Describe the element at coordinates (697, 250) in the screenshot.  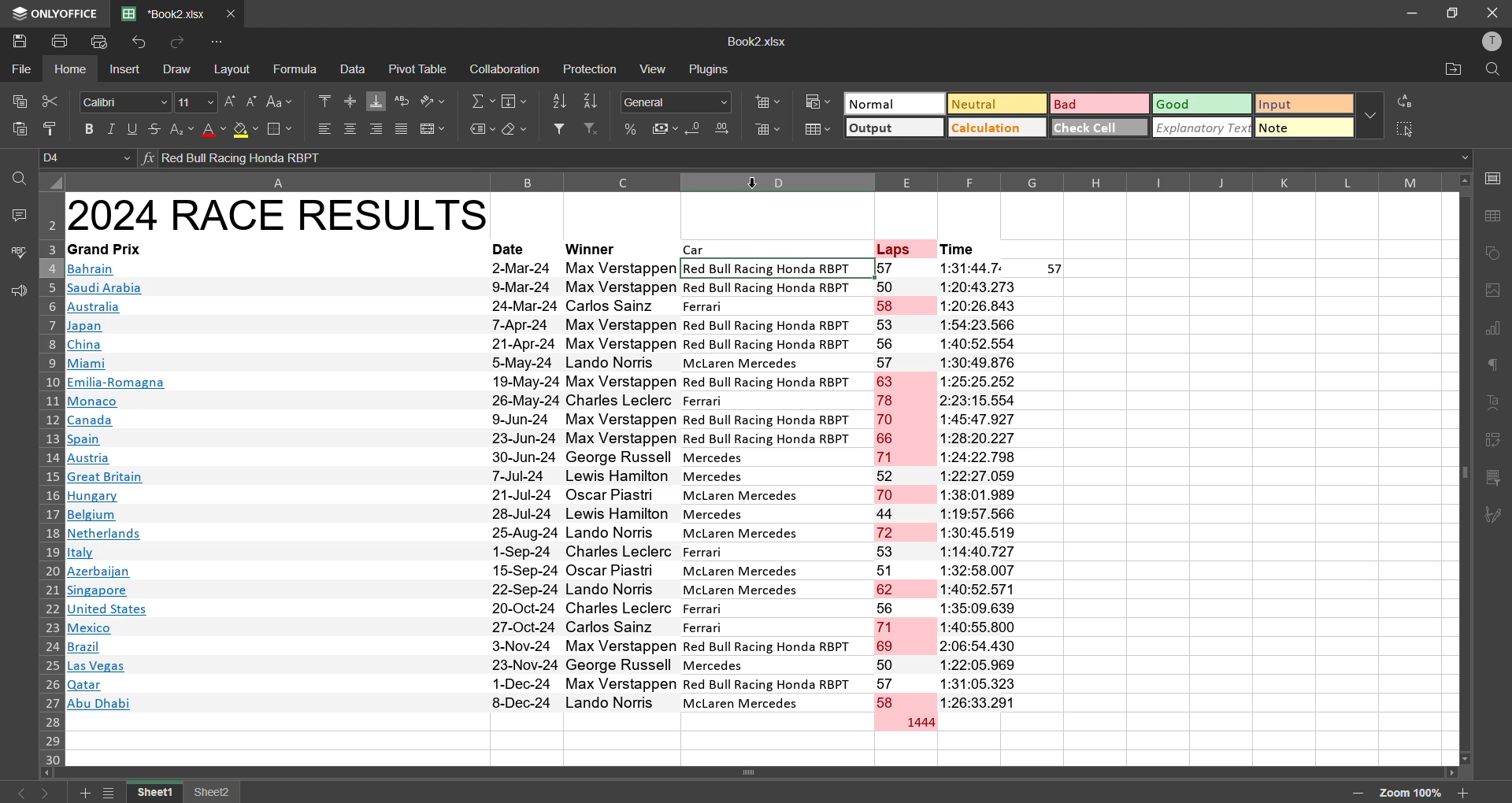
I see `car` at that location.